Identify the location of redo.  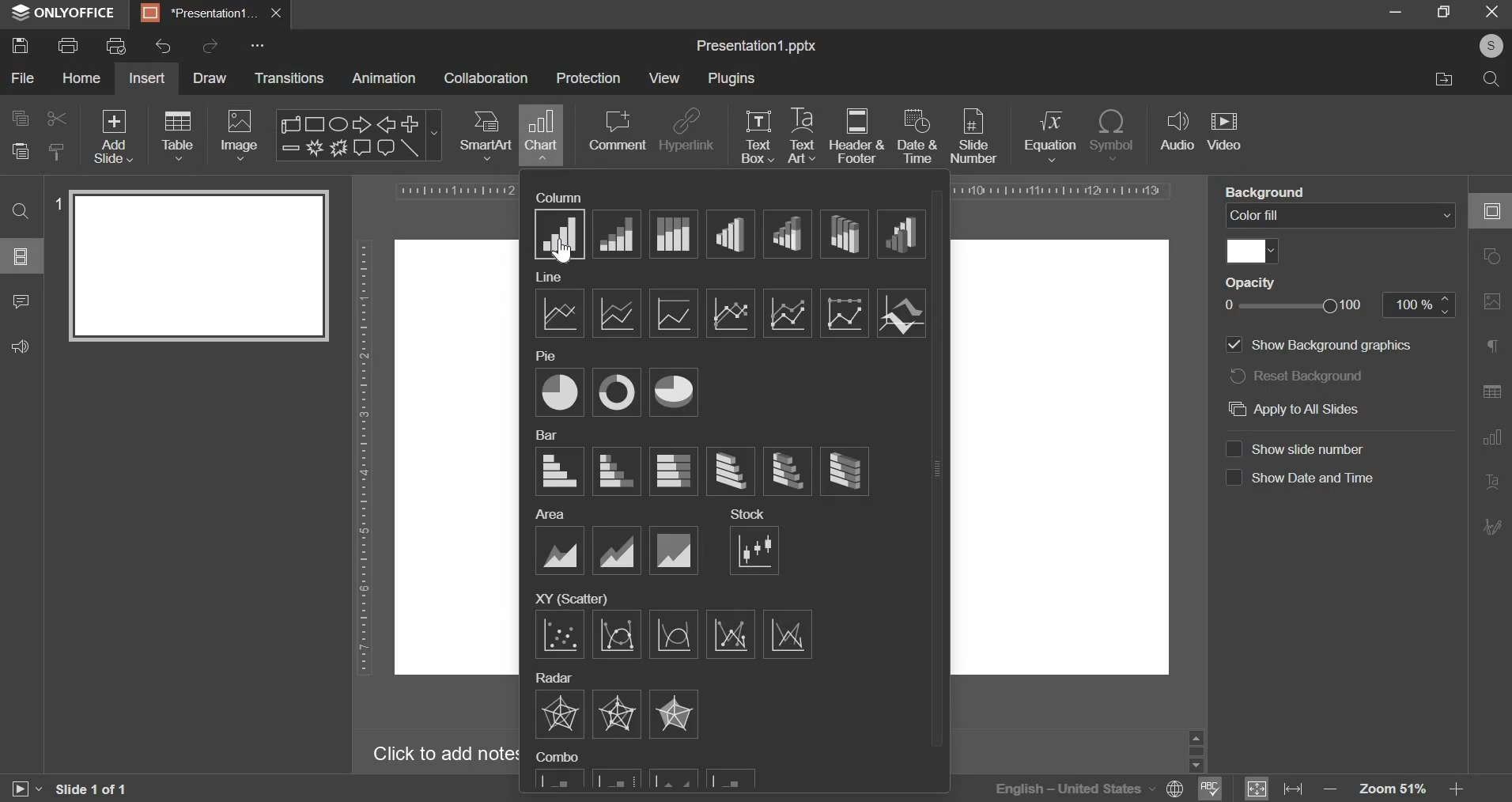
(210, 47).